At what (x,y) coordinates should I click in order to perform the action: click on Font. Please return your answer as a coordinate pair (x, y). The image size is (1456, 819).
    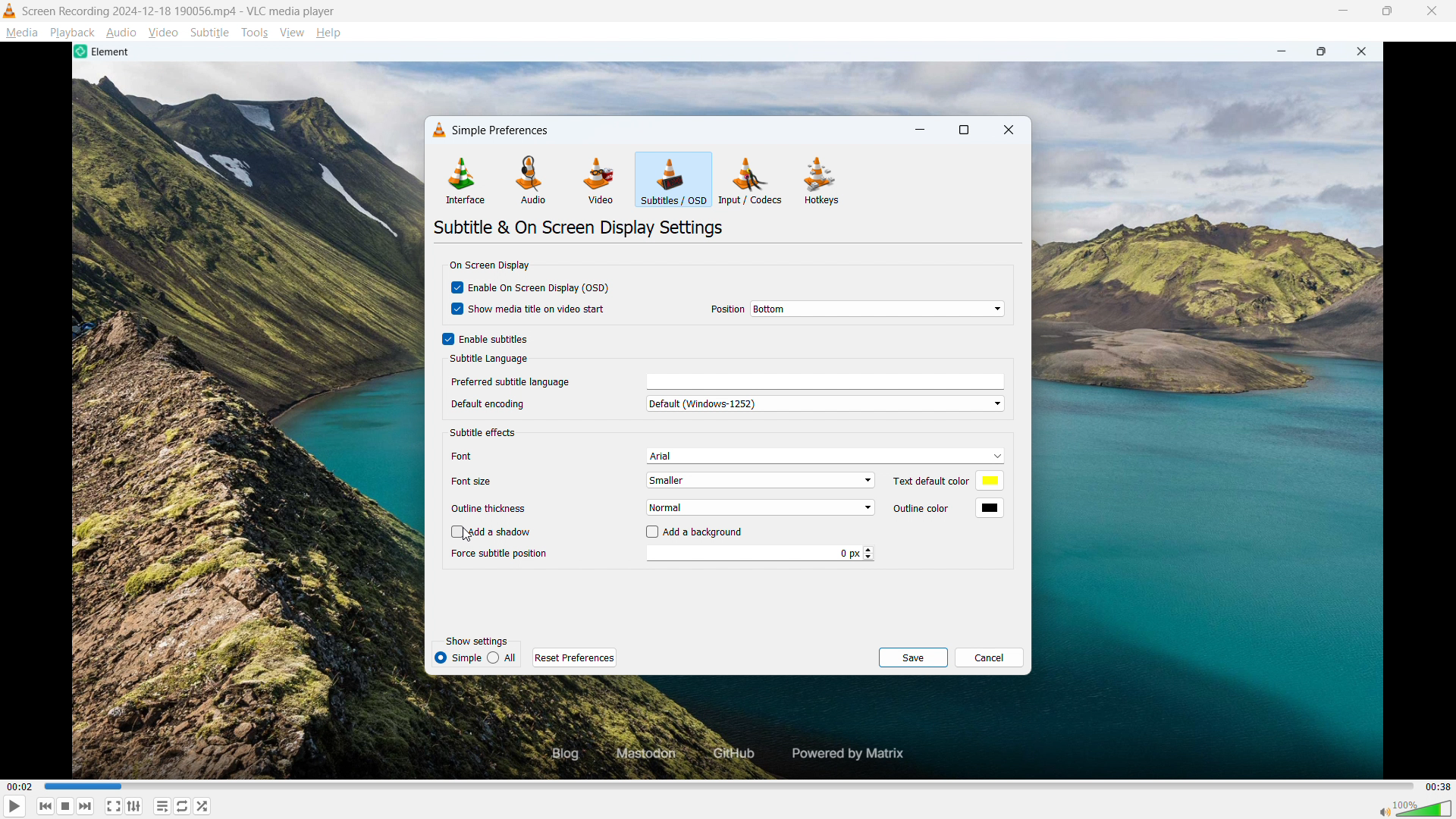
    Looking at the image, I should click on (488, 455).